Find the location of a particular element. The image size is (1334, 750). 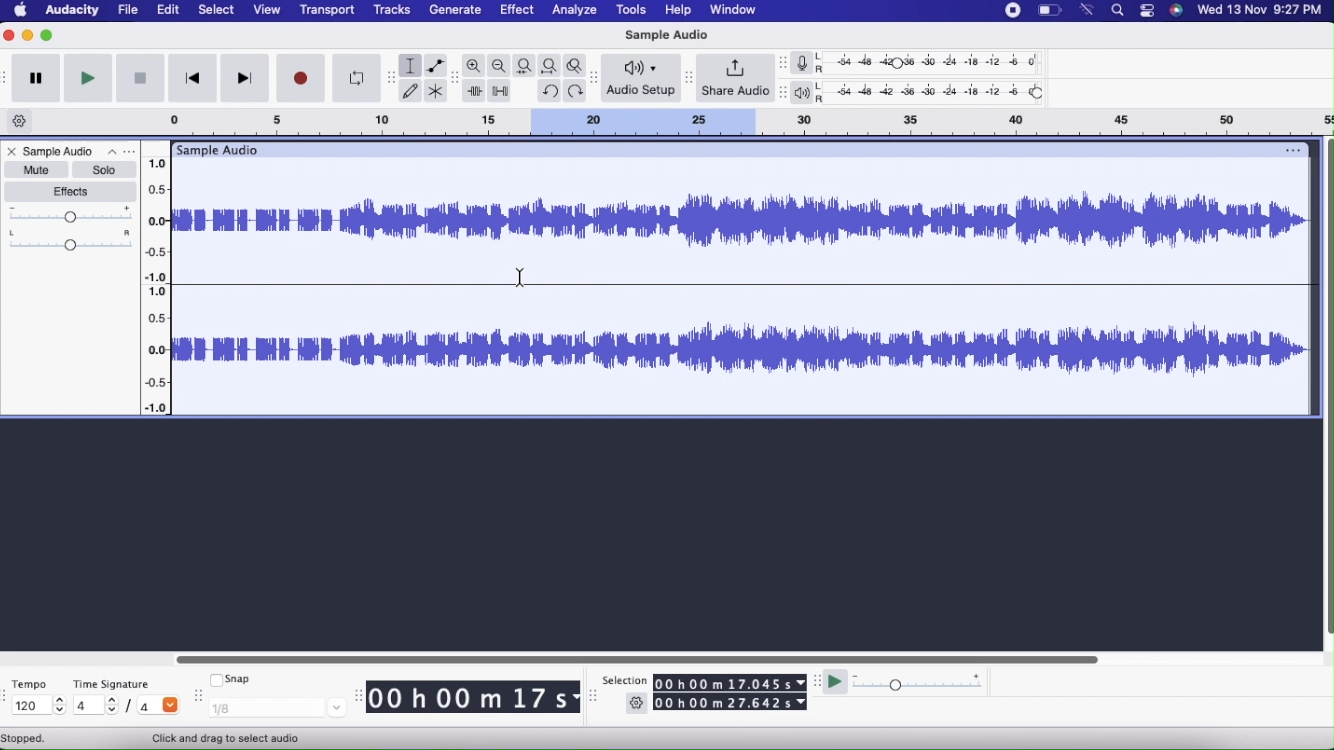

Audio track is located at coordinates (743, 220).